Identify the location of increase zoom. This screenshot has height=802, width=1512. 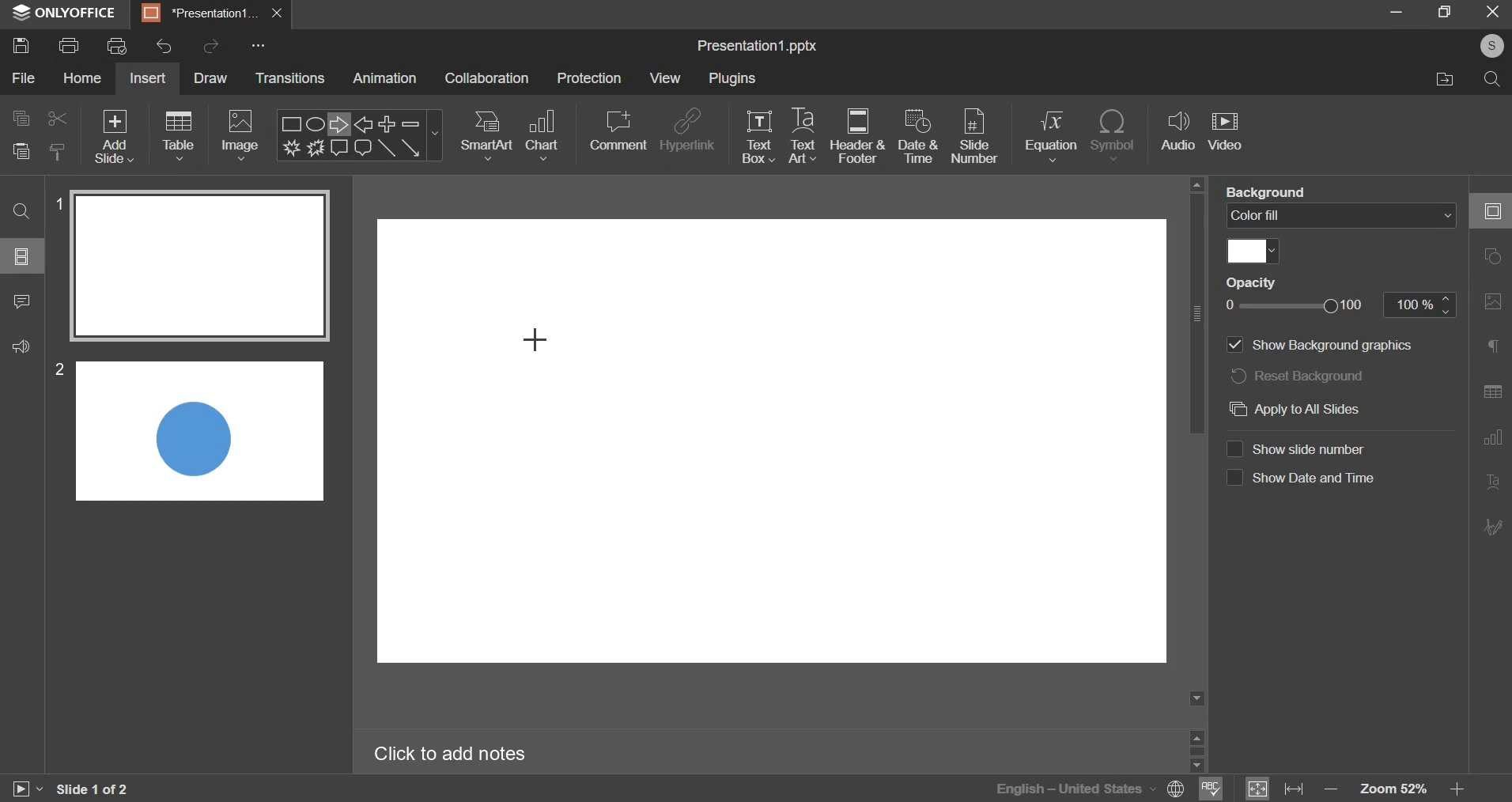
(1455, 785).